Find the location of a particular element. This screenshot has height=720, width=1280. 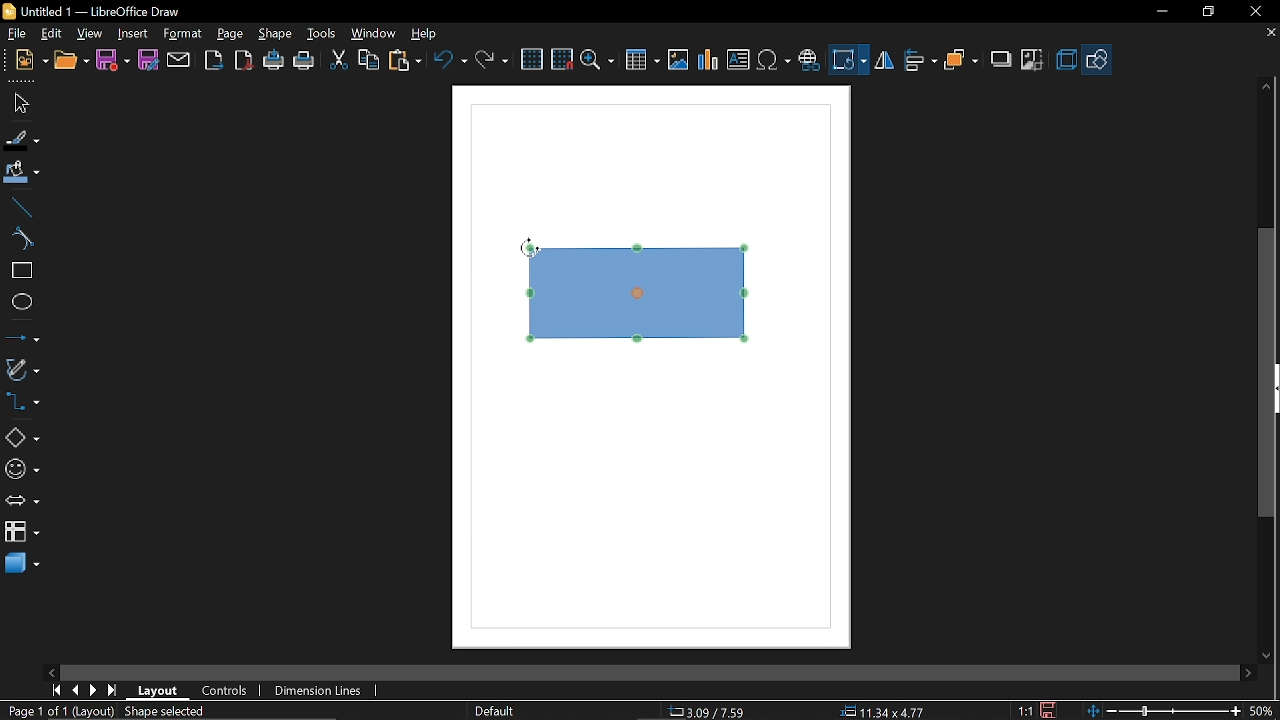

Layout is located at coordinates (158, 691).